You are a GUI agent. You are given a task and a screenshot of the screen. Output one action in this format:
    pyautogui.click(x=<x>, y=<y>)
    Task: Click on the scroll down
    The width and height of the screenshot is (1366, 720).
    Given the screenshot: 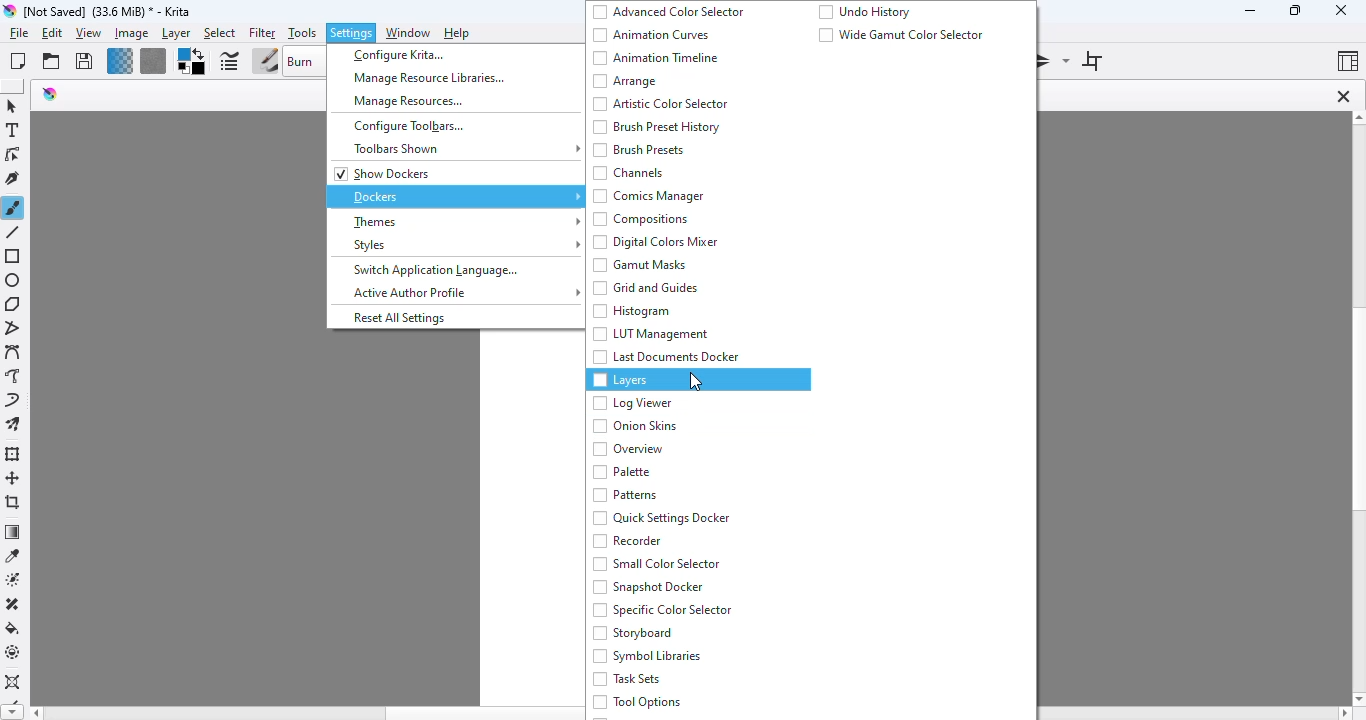 What is the action you would take?
    pyautogui.click(x=10, y=713)
    